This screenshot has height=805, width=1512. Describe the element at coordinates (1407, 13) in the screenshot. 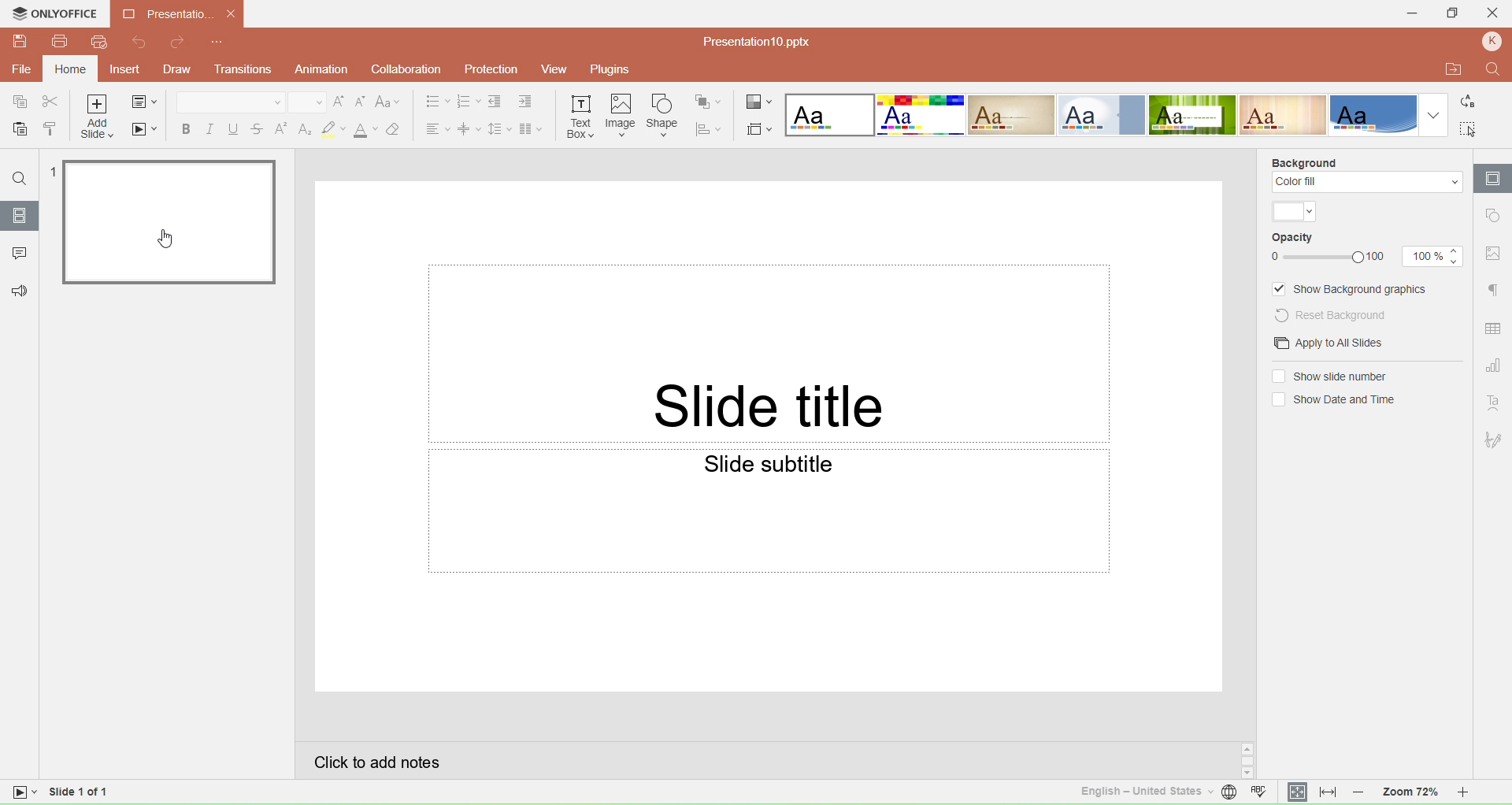

I see `Minimize` at that location.